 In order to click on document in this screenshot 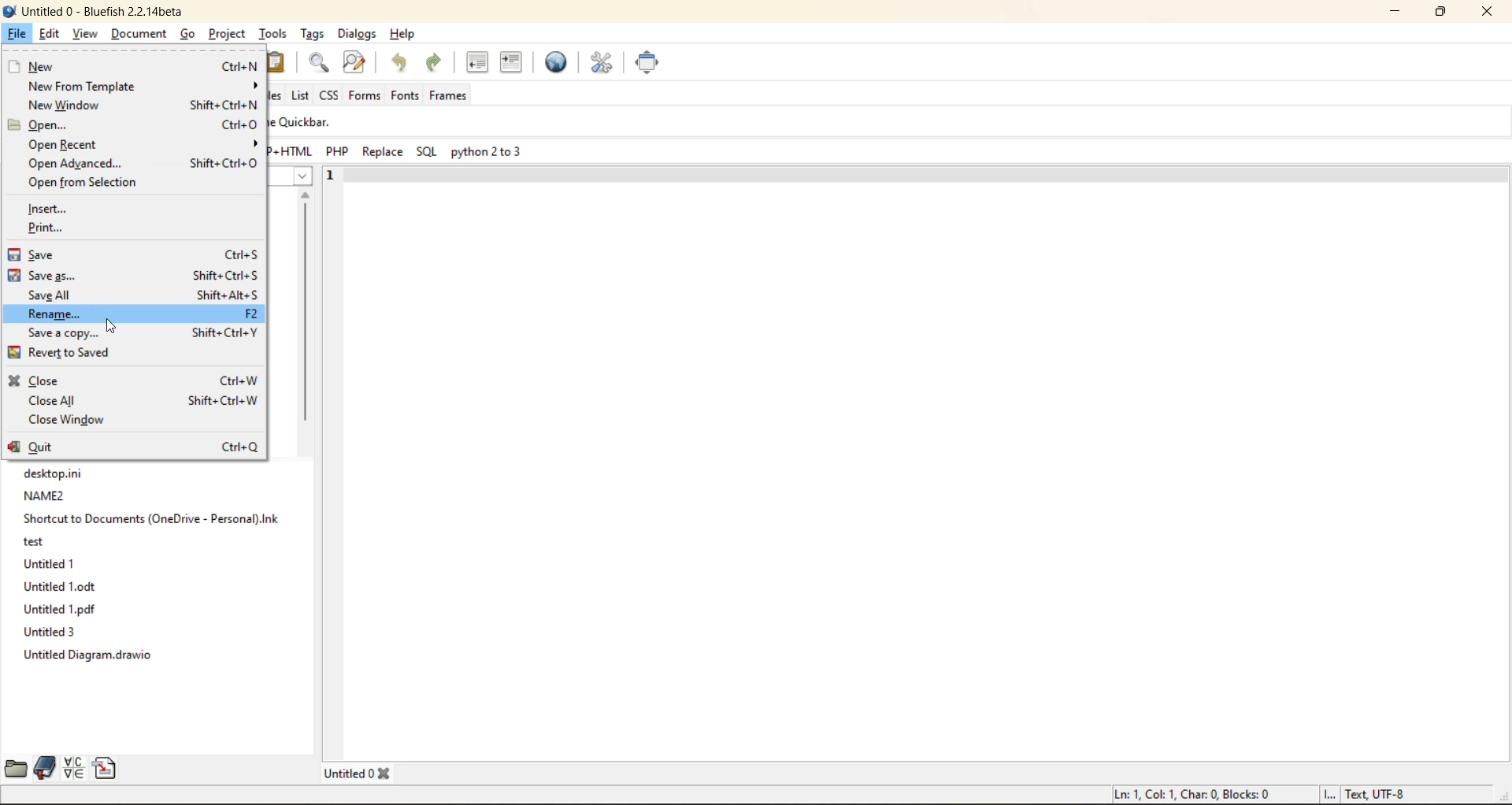, I will do `click(137, 32)`.